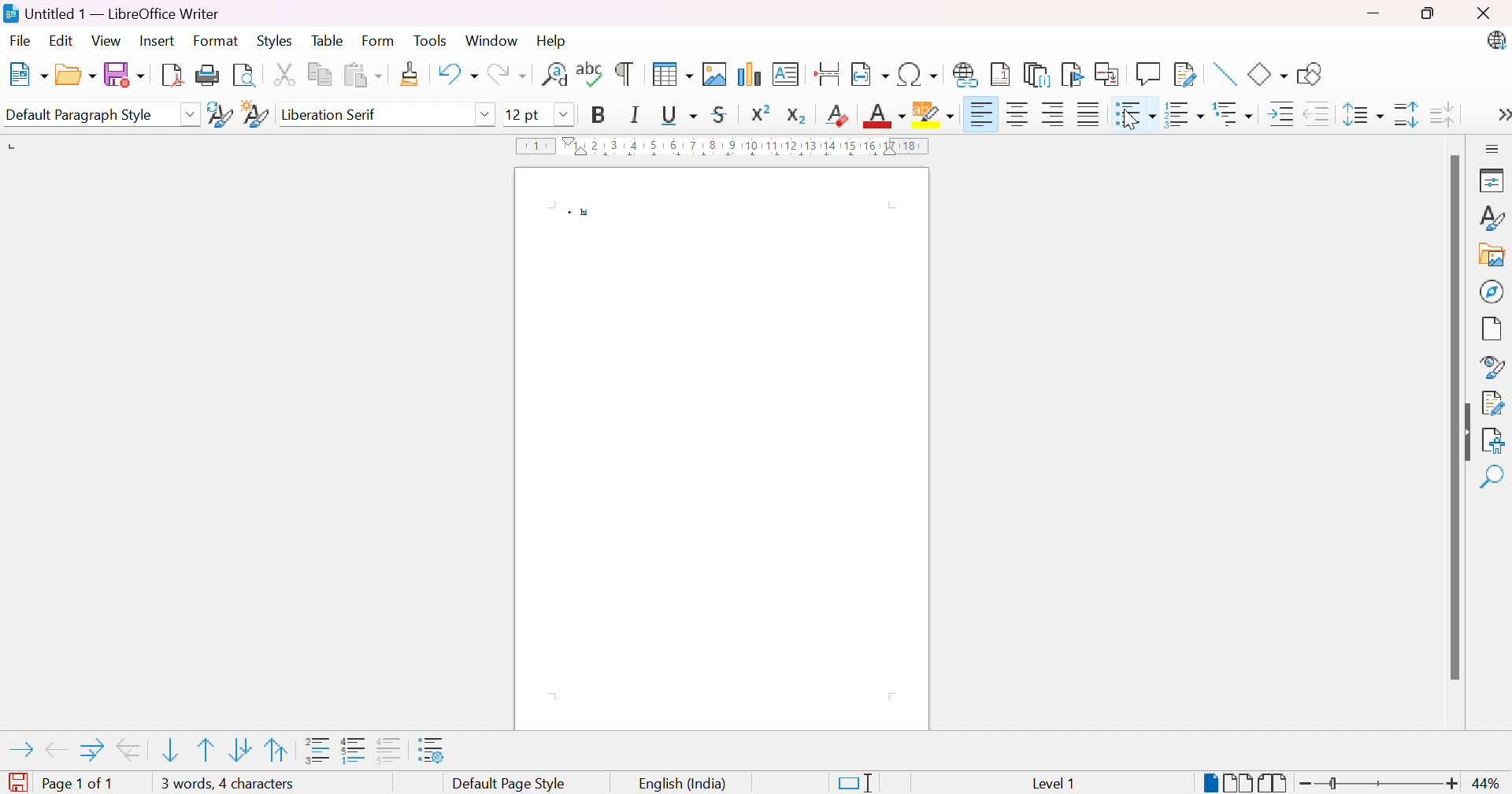 Image resolution: width=1512 pixels, height=794 pixels. Describe the element at coordinates (171, 750) in the screenshot. I see `Move item down` at that location.